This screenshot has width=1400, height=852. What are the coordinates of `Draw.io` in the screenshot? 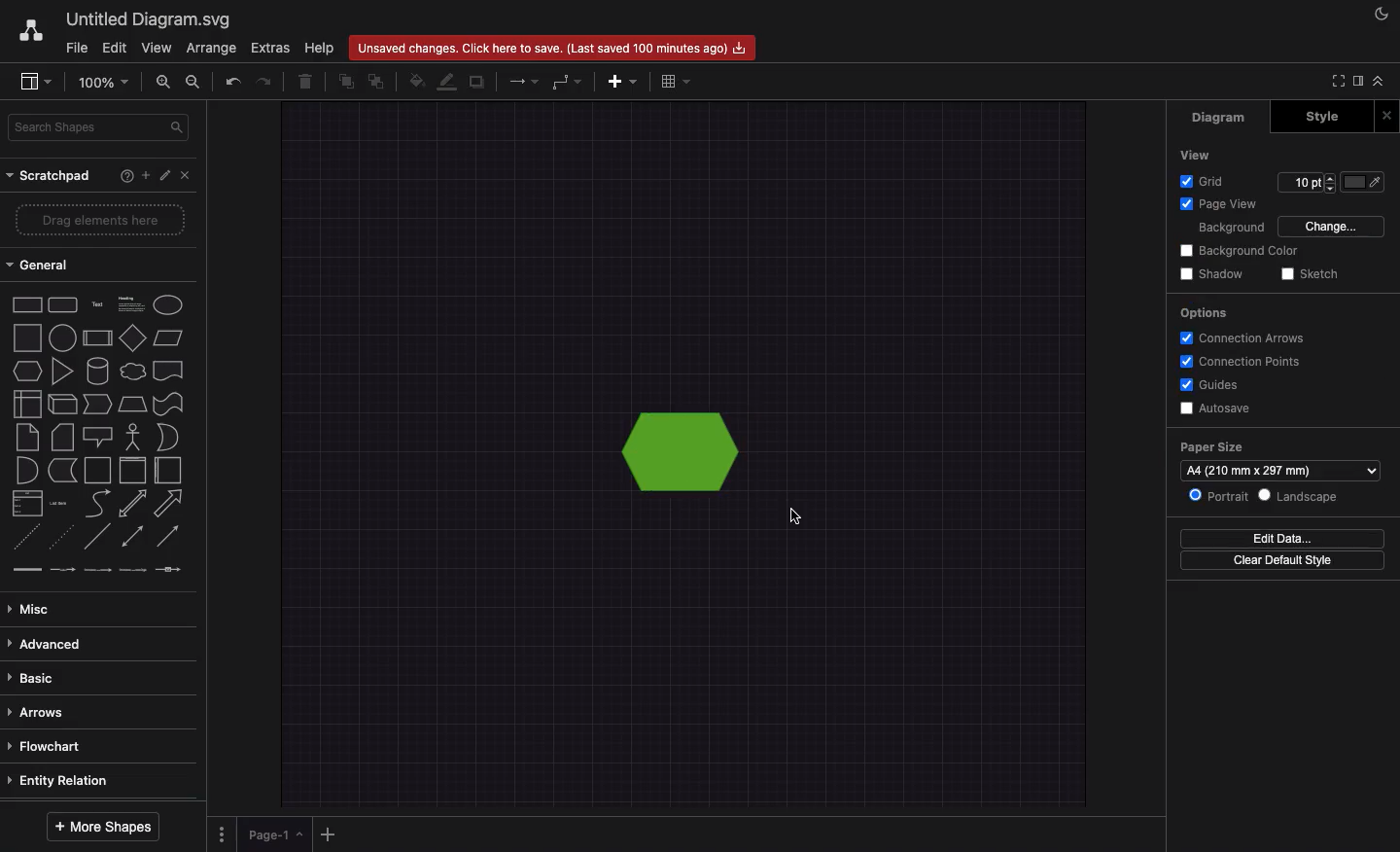 It's located at (30, 34).